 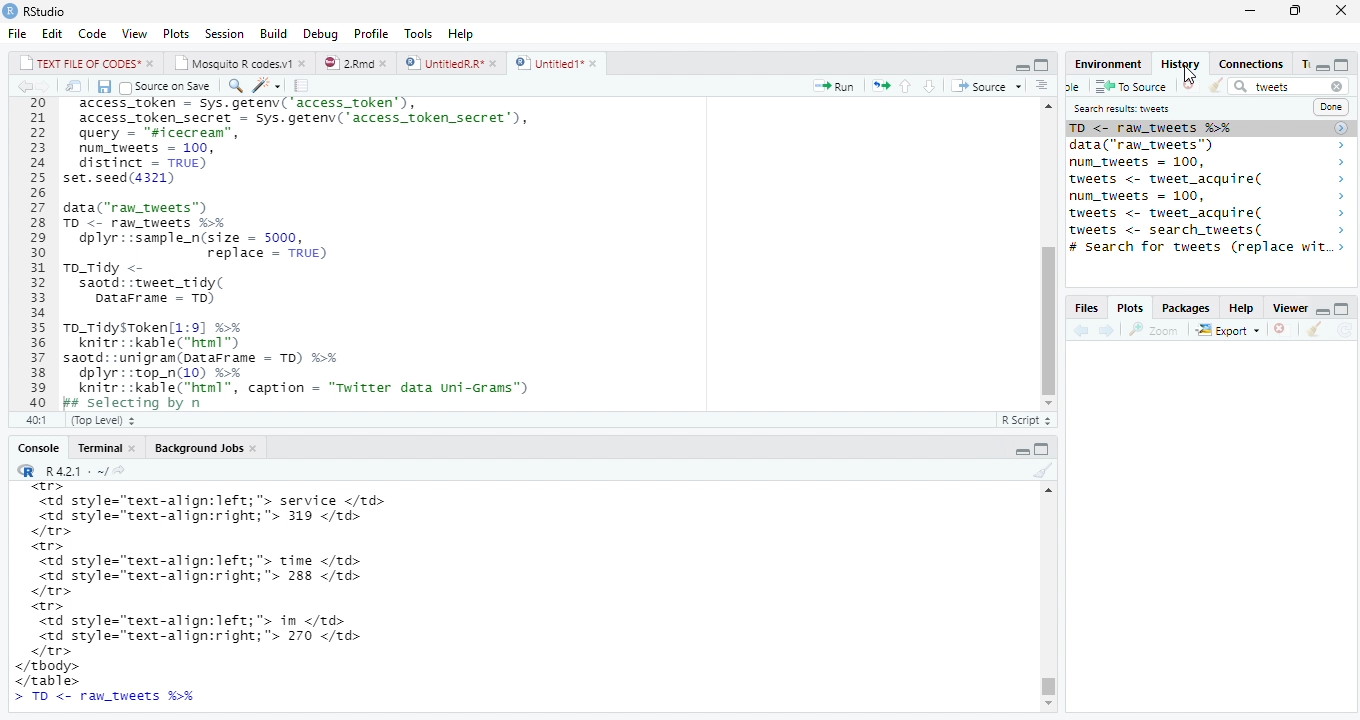 I want to click on save, so click(x=1104, y=86).